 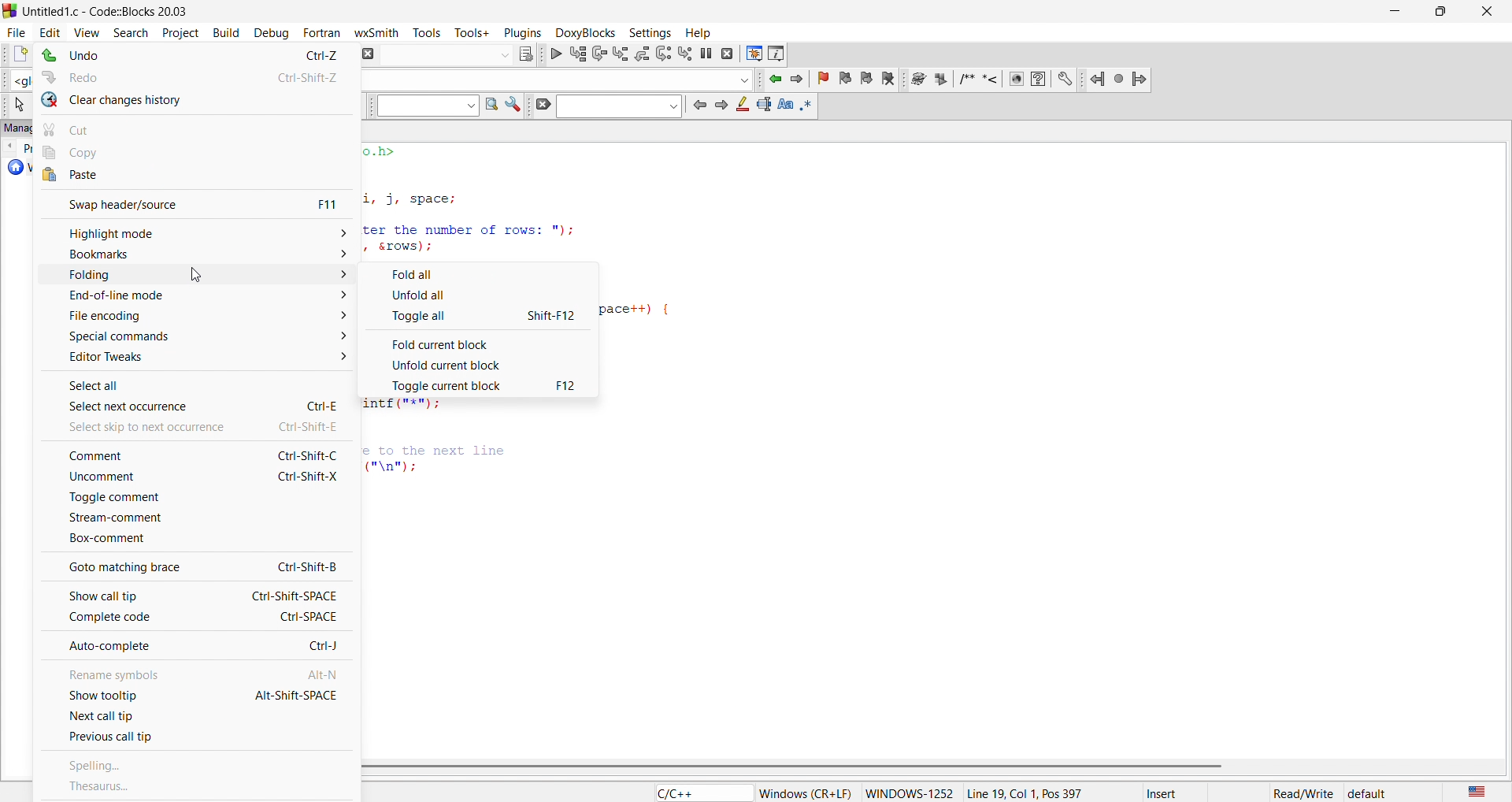 I want to click on clear bookmart, so click(x=891, y=80).